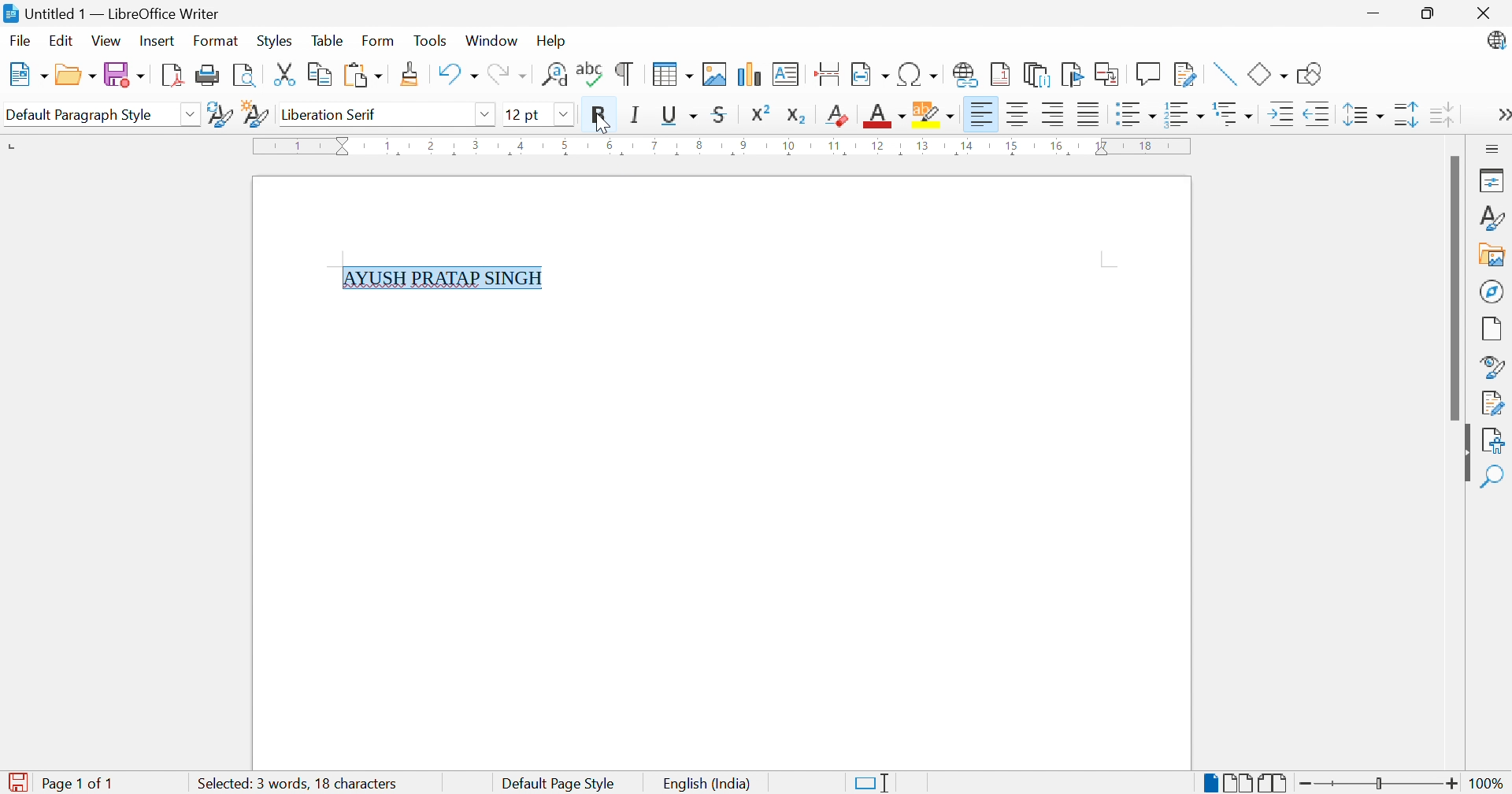 The width and height of the screenshot is (1512, 794). What do you see at coordinates (598, 116) in the screenshot?
I see `Bold` at bounding box center [598, 116].